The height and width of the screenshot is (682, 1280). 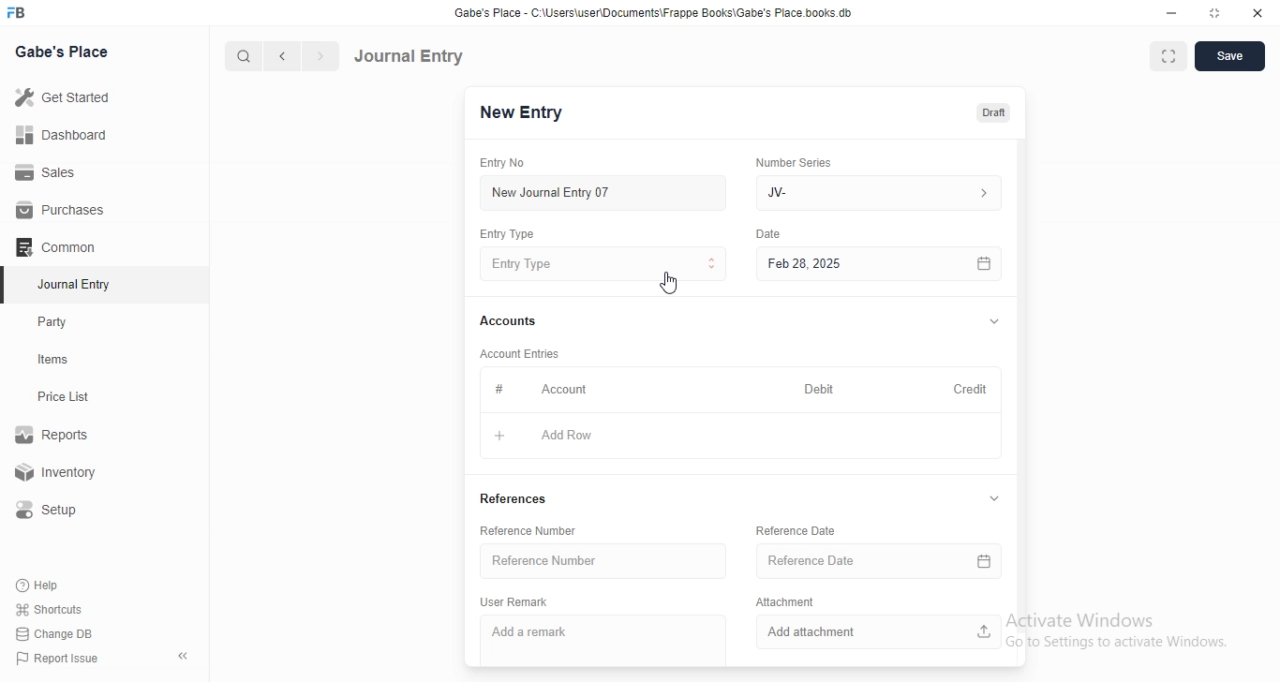 I want to click on ‘Report Issue, so click(x=55, y=658).